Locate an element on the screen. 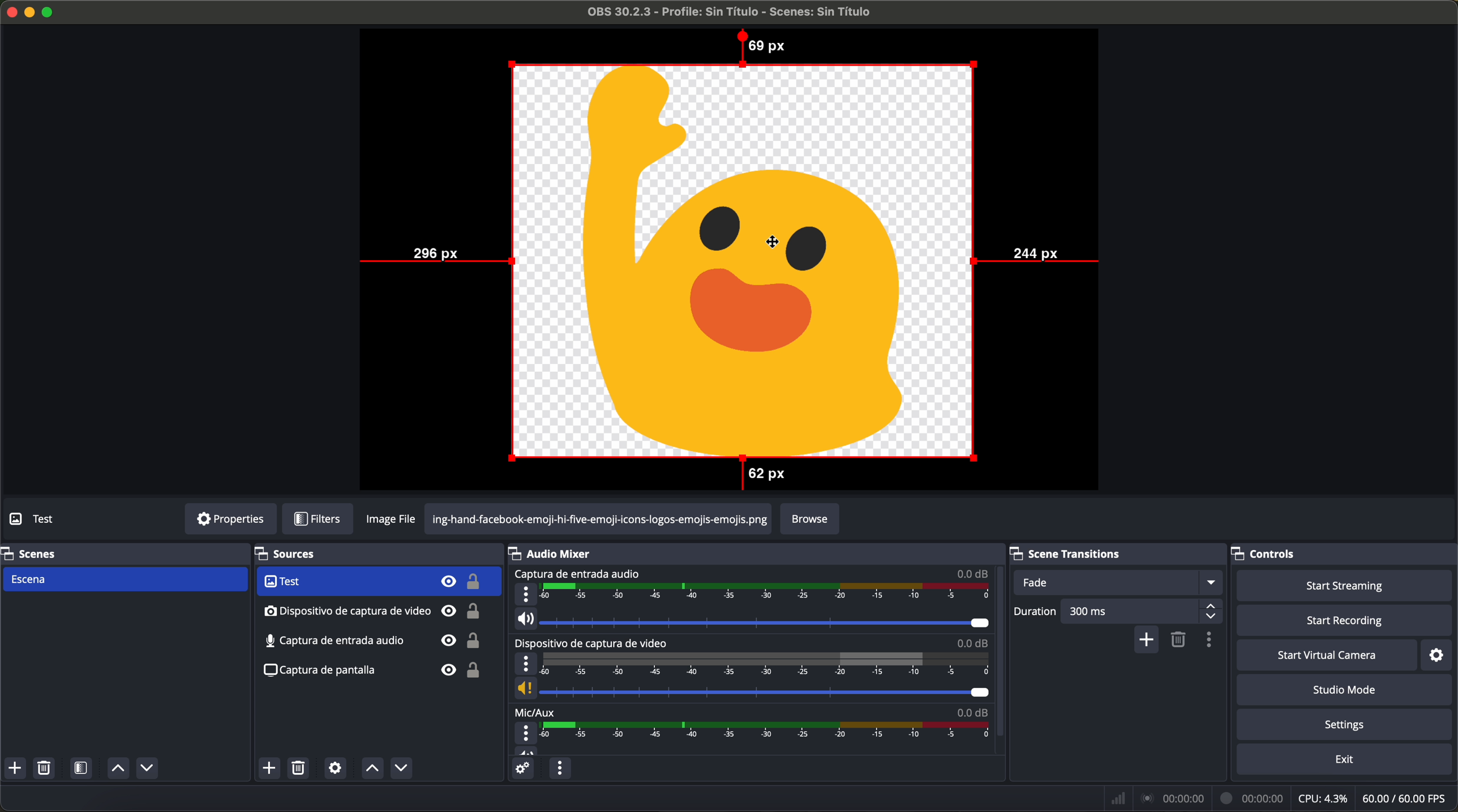 The height and width of the screenshot is (812, 1458). cursor is located at coordinates (769, 242).